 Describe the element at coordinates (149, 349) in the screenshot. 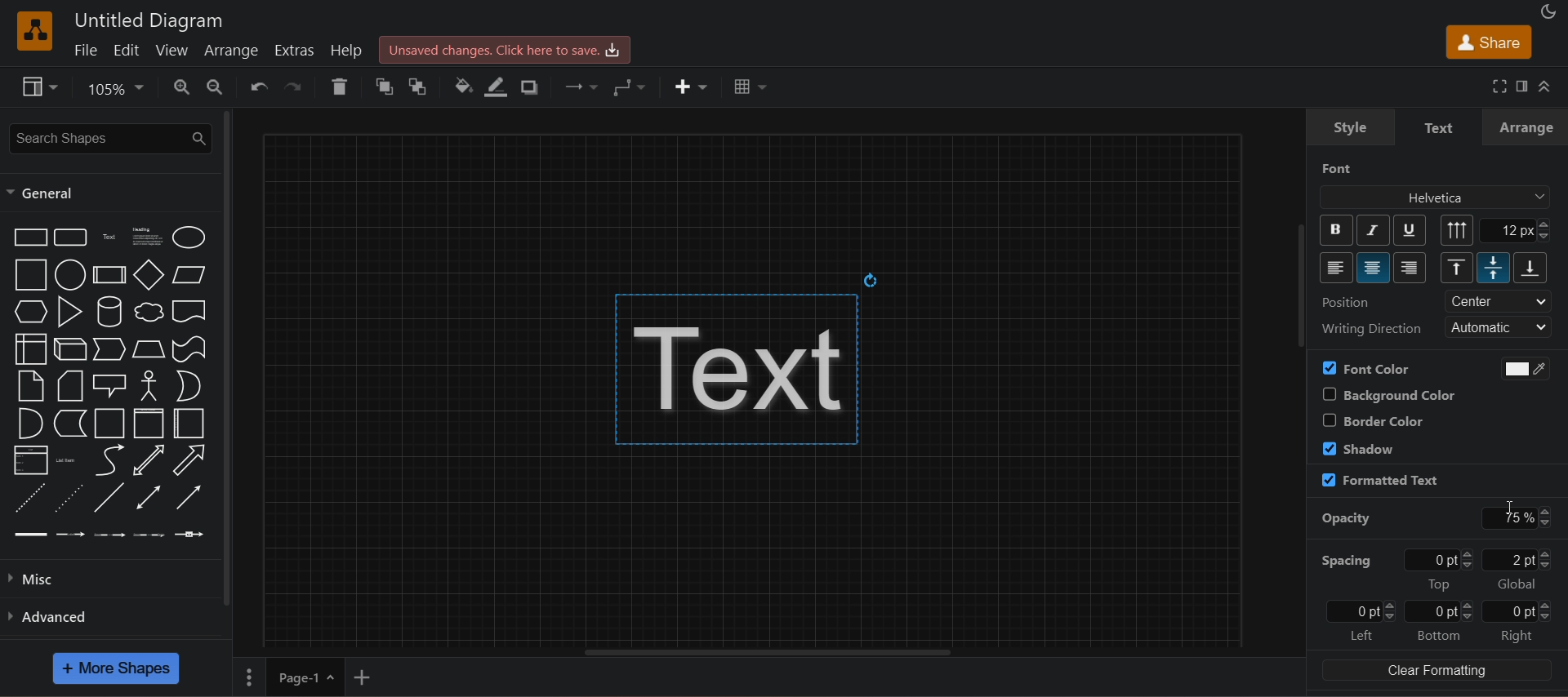

I see `trapezoid` at that location.